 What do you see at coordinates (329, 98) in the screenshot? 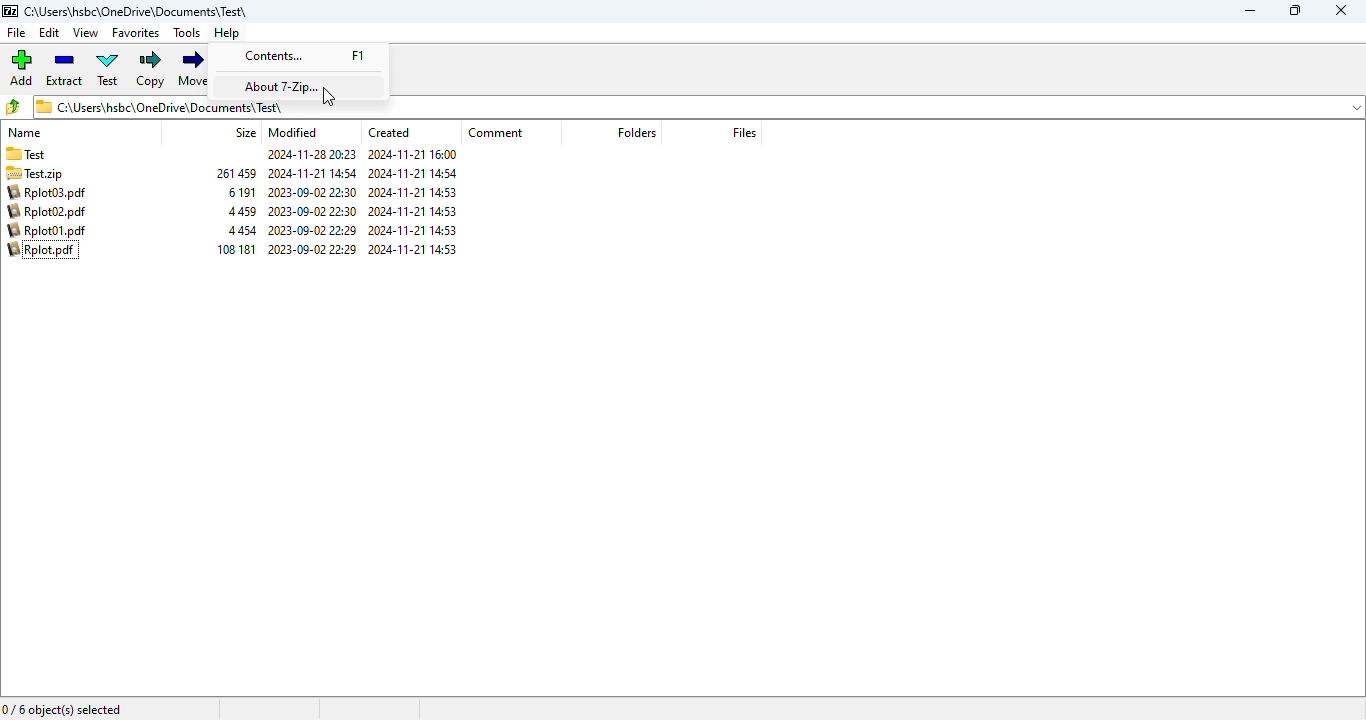
I see `cursor` at bounding box center [329, 98].